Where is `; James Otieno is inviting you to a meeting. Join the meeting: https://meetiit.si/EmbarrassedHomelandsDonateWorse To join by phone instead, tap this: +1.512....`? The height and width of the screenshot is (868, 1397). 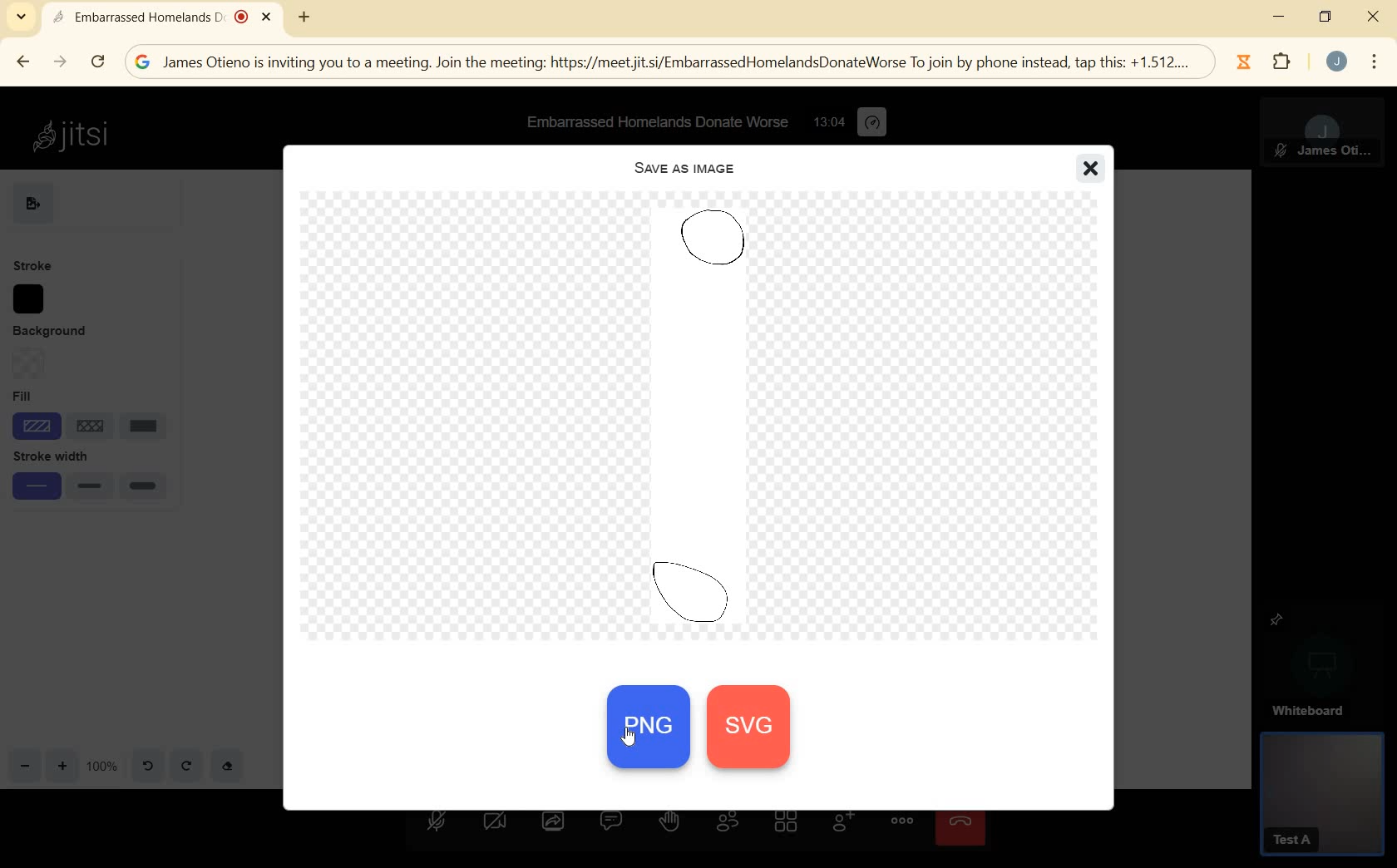
; James Otieno is inviting you to a meeting. Join the meeting: https://meetiit.si/EmbarrassedHomelandsDonateWorse To join by phone instead, tap this: +1.512.... is located at coordinates (678, 63).